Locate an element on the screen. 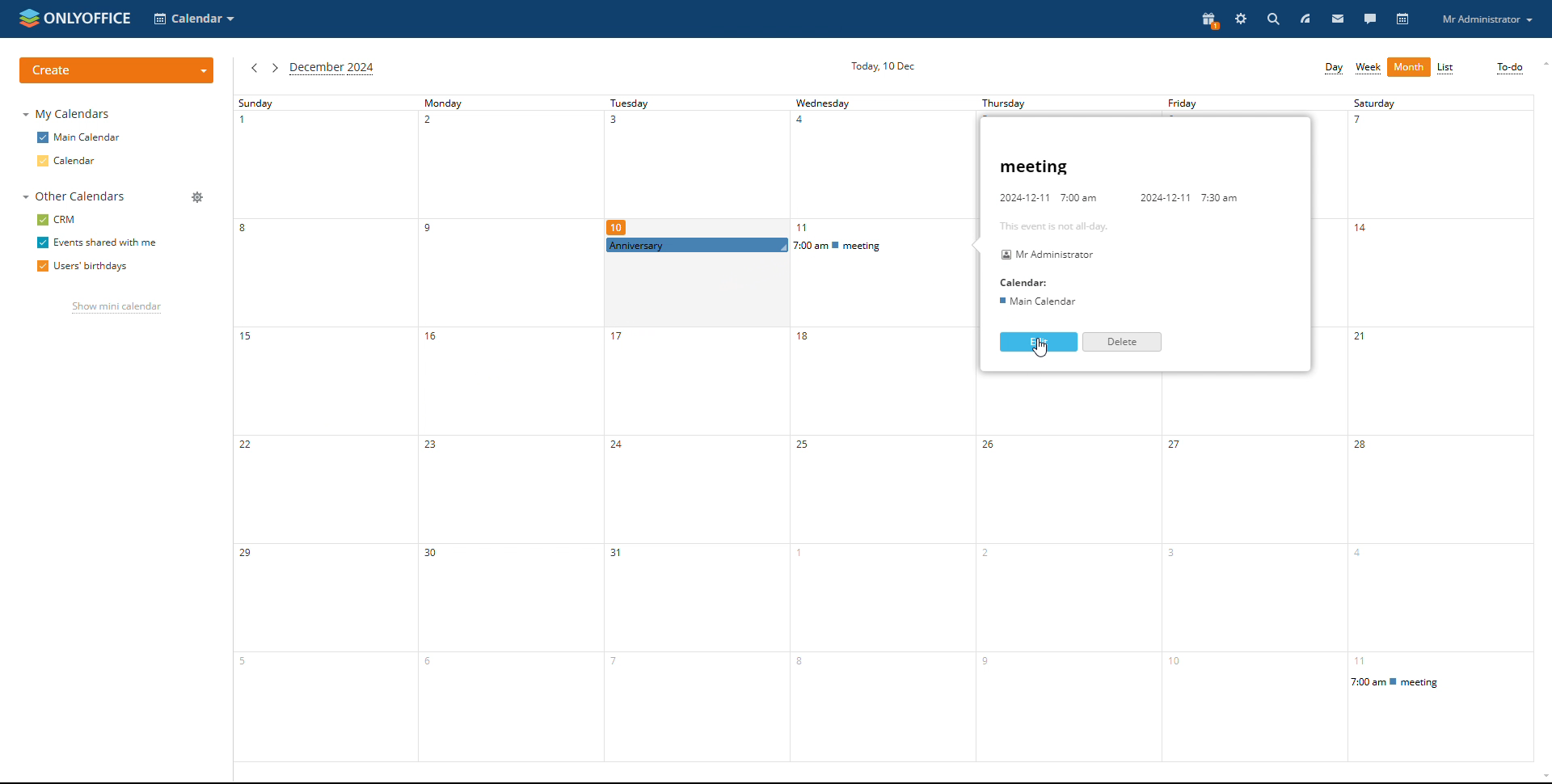  main calender is located at coordinates (1040, 299).